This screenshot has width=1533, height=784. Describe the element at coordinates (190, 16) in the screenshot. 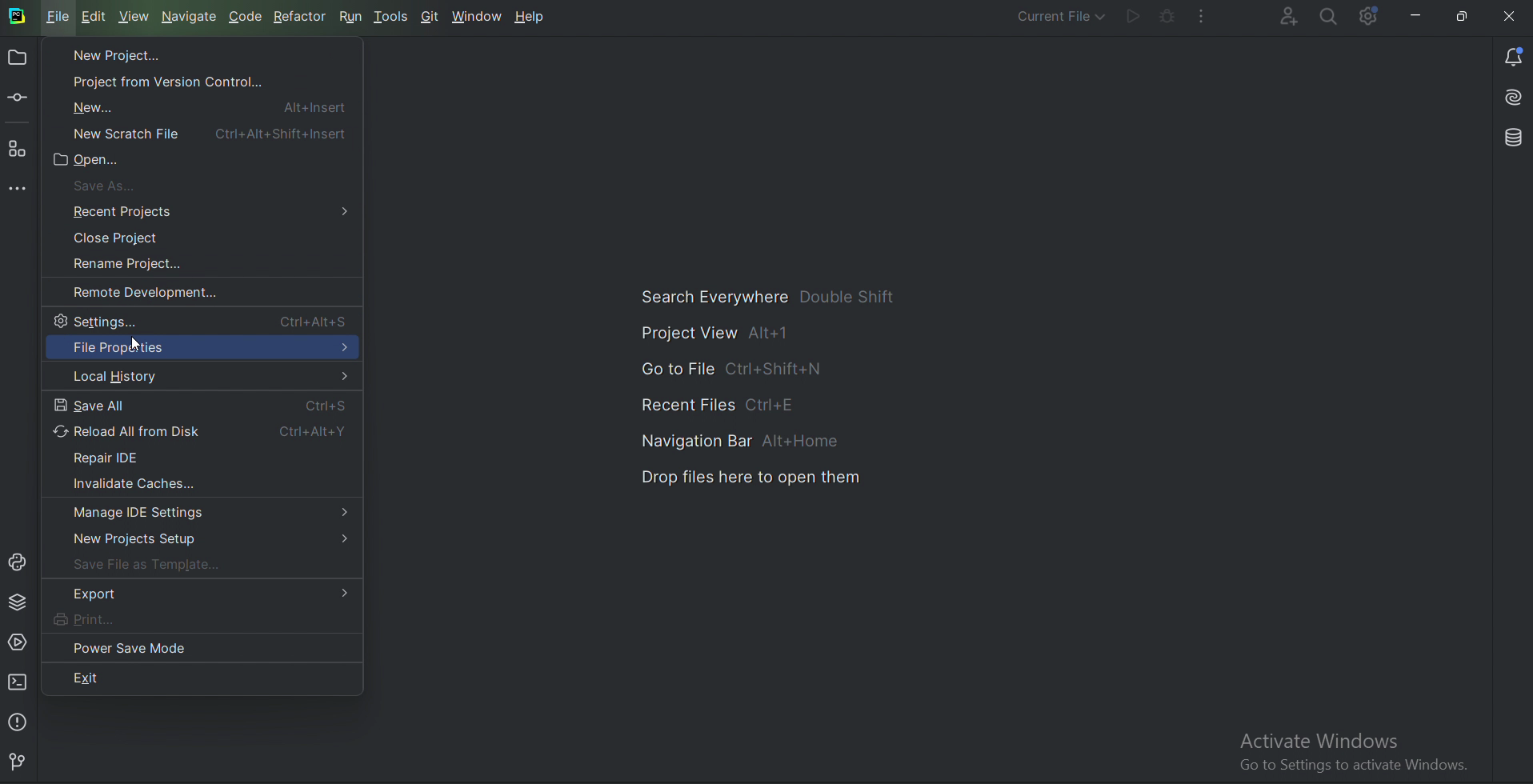

I see `Navigate` at that location.